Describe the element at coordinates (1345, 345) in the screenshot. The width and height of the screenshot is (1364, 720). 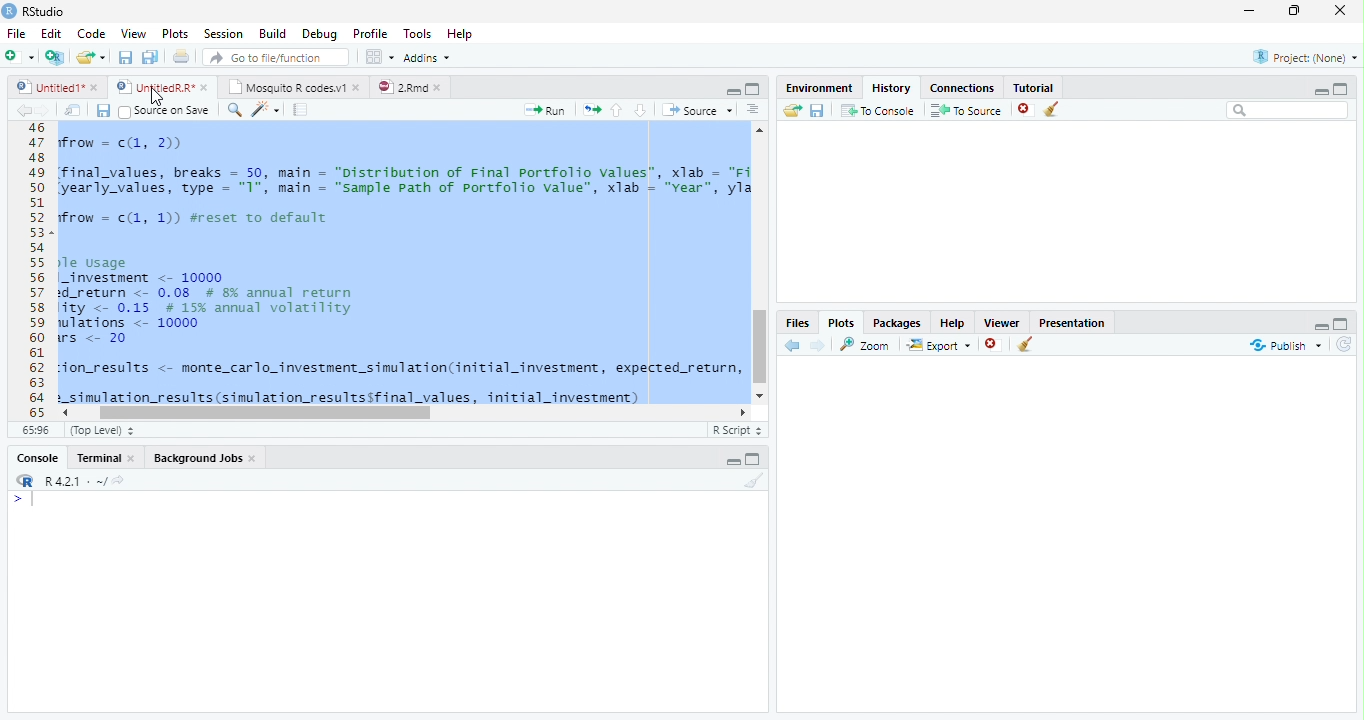
I see `Refresh List` at that location.